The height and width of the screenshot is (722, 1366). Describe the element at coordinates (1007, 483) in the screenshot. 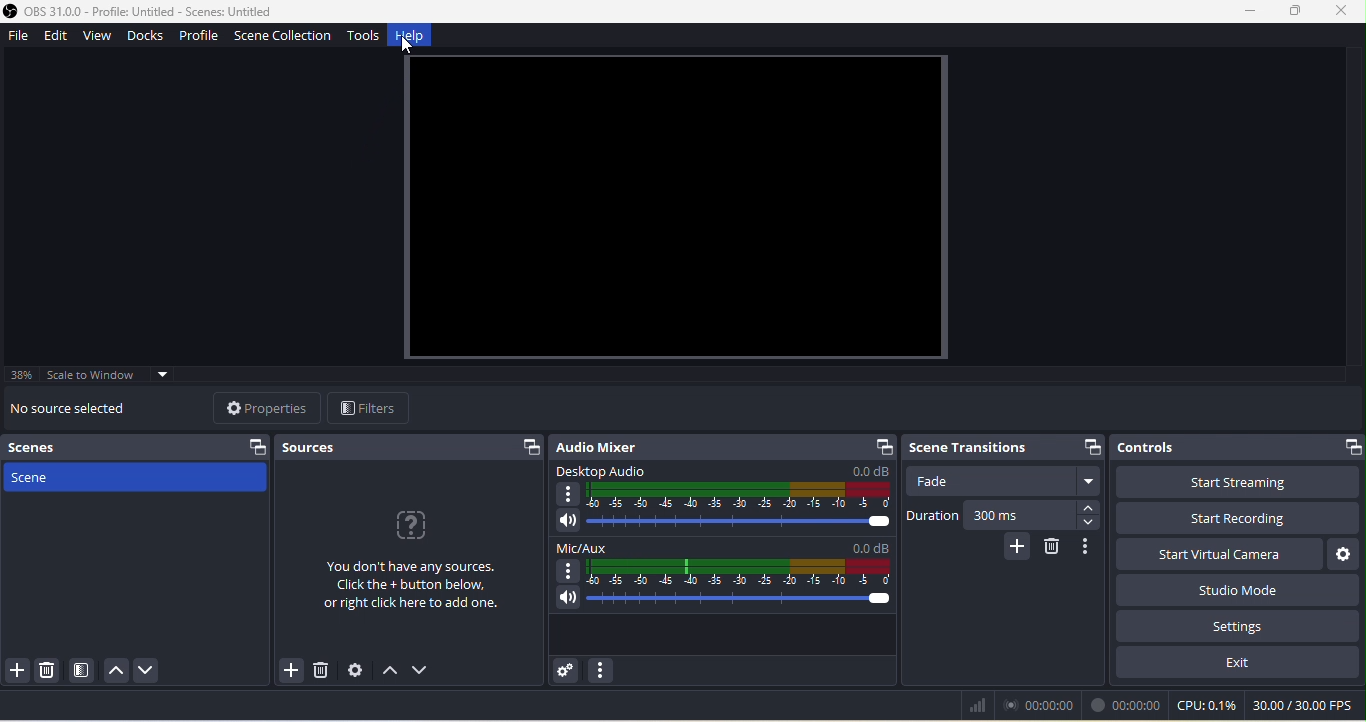

I see `fade` at that location.